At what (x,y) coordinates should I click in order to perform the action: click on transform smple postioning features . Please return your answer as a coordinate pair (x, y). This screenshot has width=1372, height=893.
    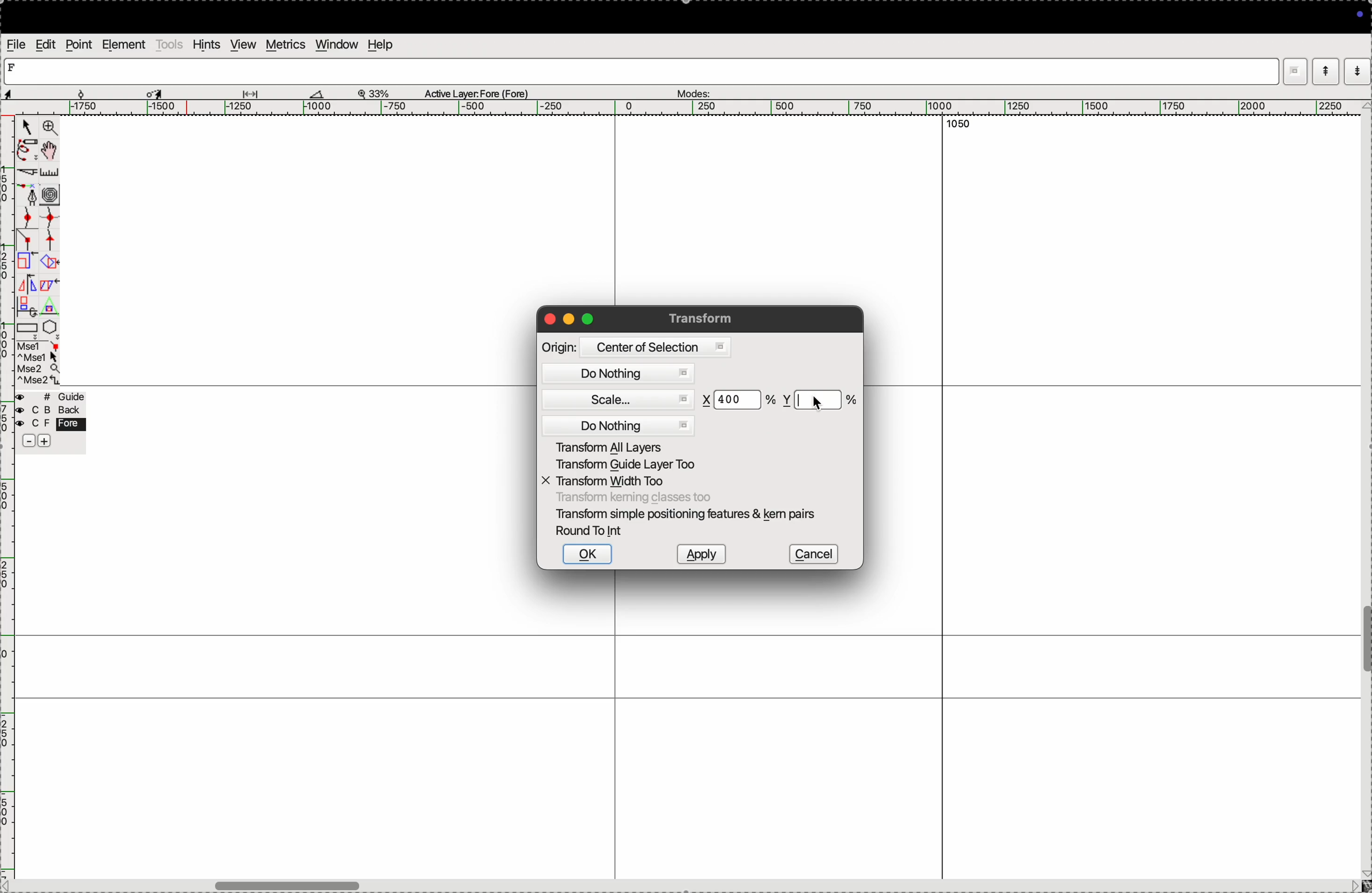
    Looking at the image, I should click on (689, 514).